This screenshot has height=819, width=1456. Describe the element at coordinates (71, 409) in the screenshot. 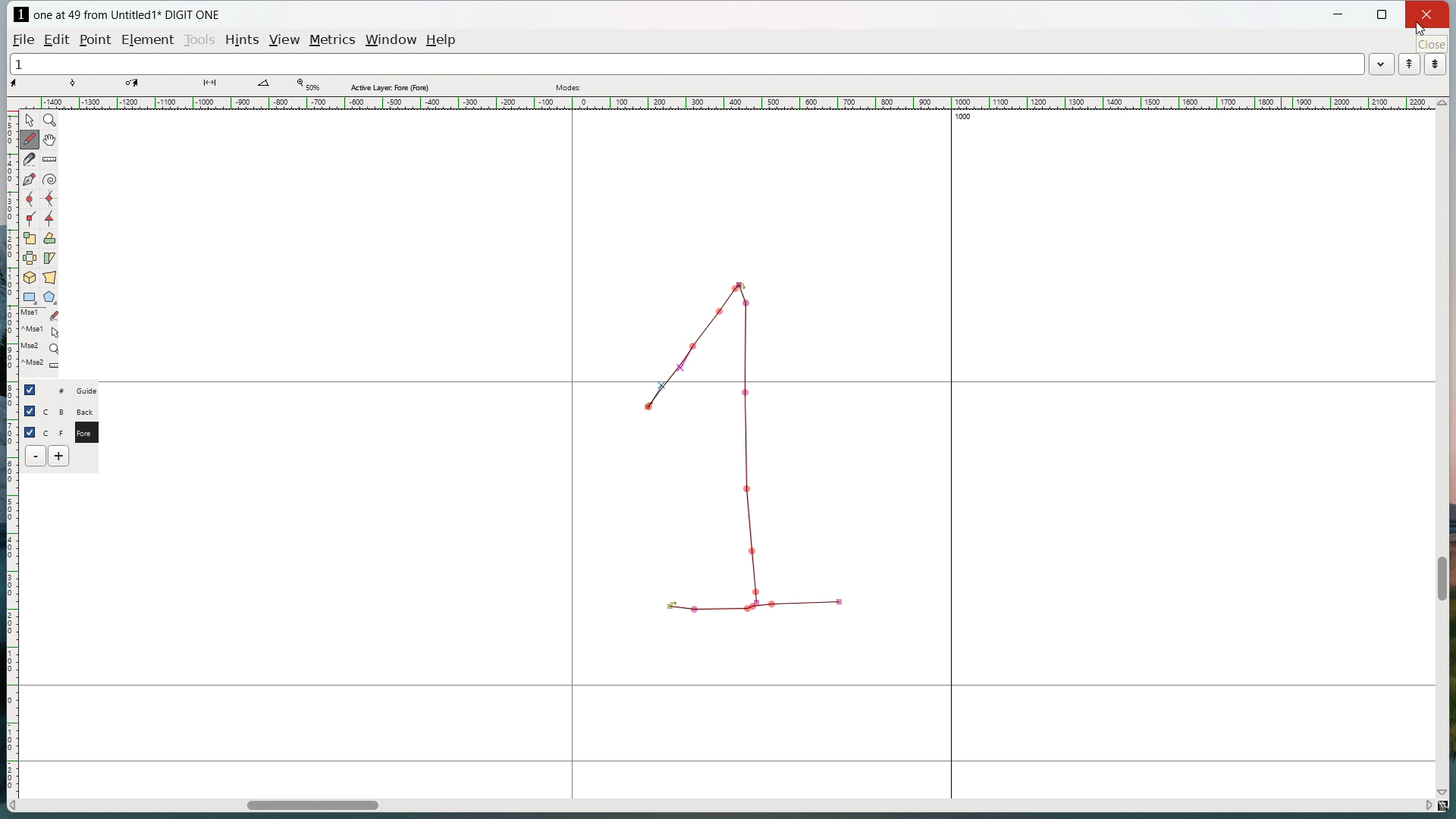

I see `C B Back` at that location.